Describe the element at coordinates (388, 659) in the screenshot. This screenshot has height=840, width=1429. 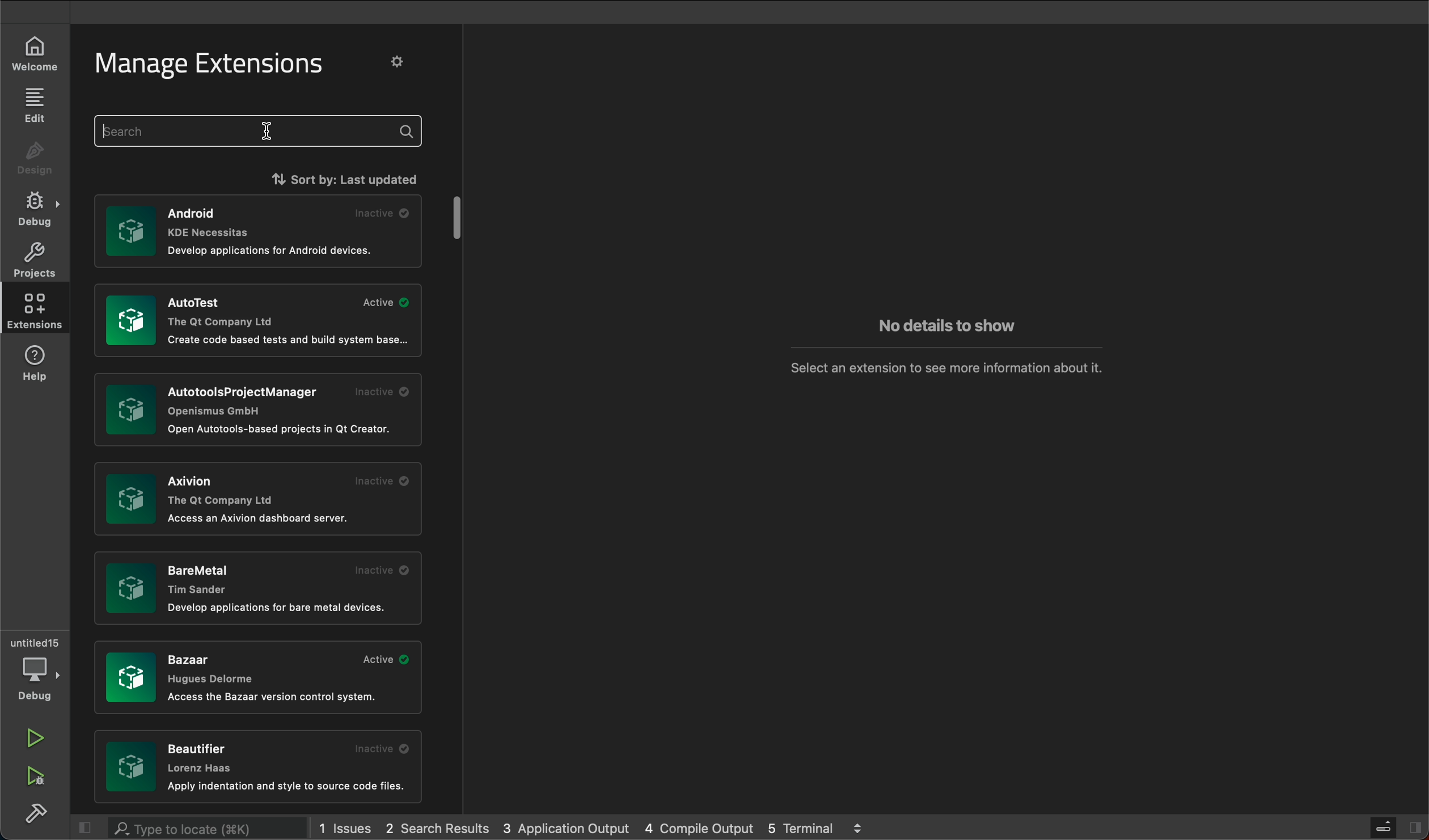
I see `active` at that location.